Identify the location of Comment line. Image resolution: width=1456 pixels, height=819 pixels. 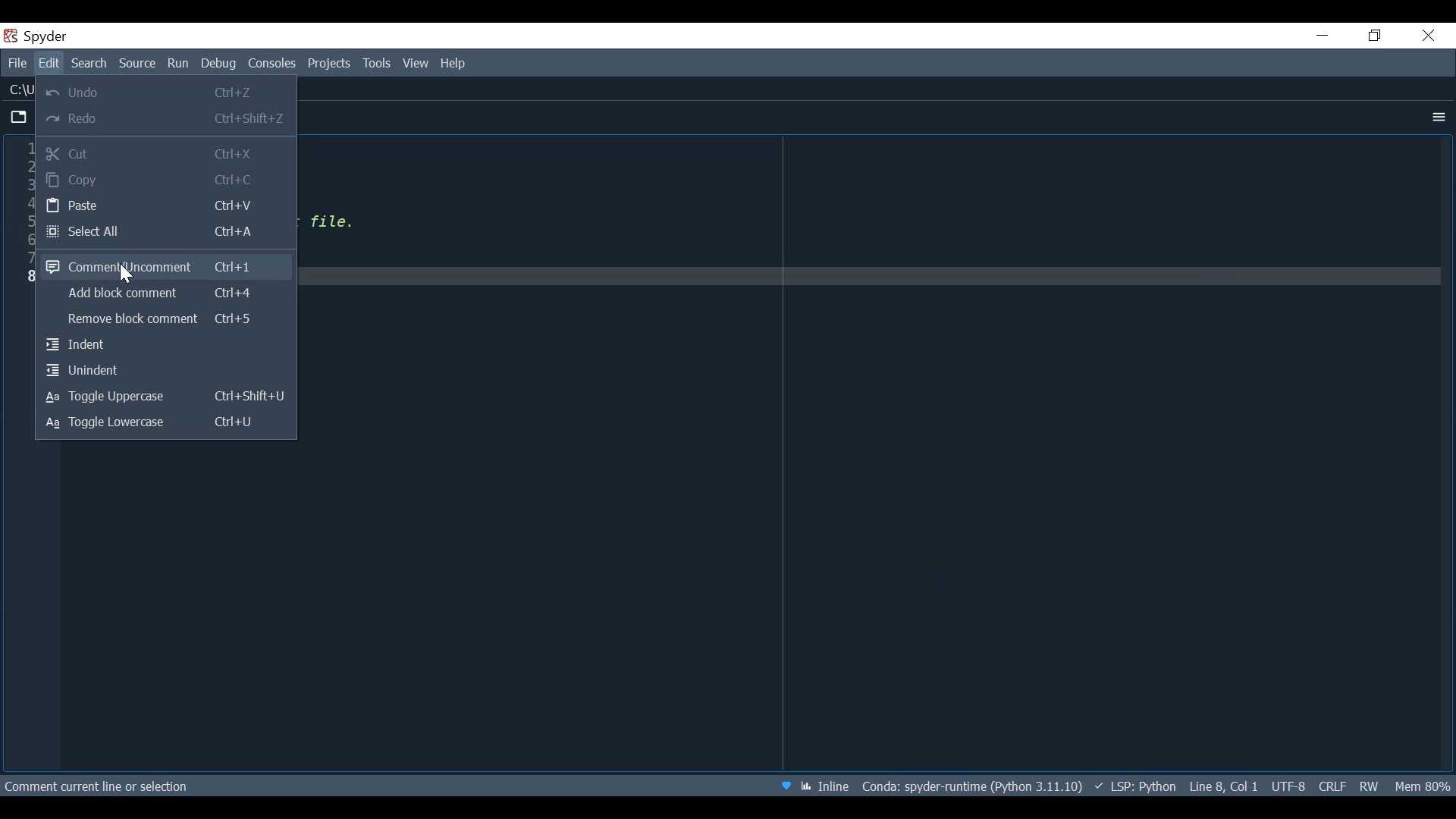
(180, 781).